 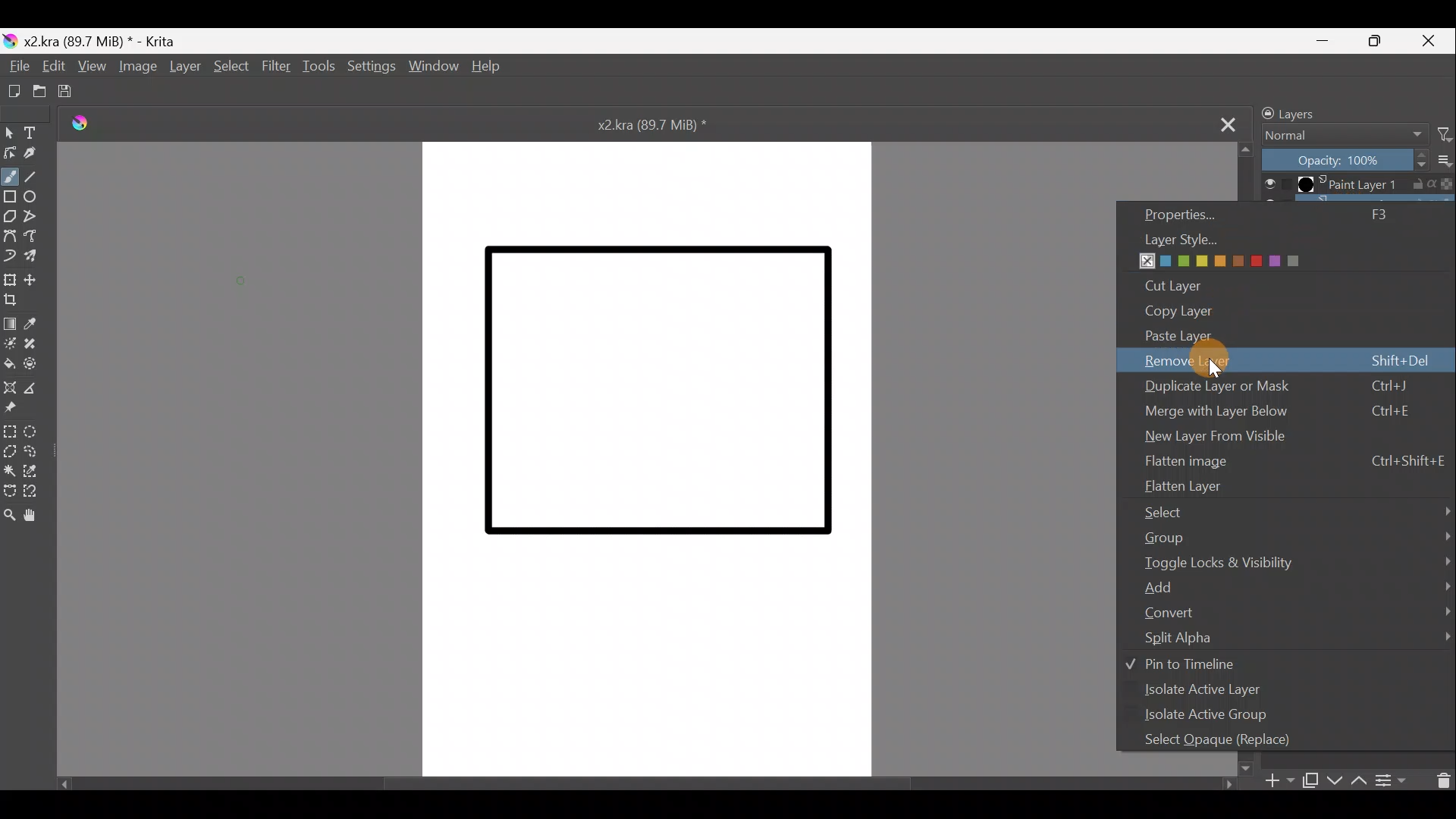 I want to click on Rectangle tool, so click(x=10, y=198).